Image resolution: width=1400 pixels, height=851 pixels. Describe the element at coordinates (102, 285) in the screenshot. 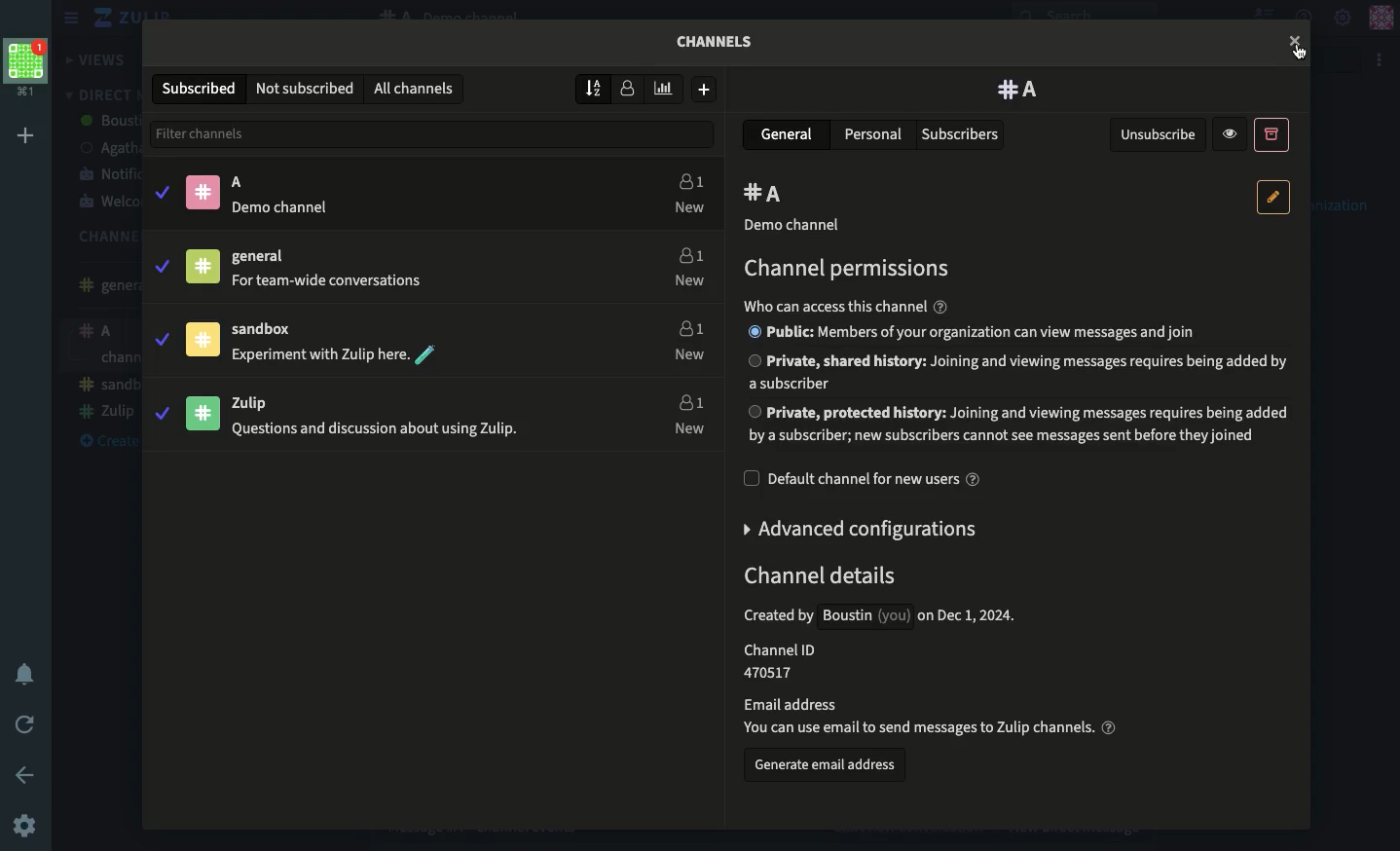

I see `General` at that location.